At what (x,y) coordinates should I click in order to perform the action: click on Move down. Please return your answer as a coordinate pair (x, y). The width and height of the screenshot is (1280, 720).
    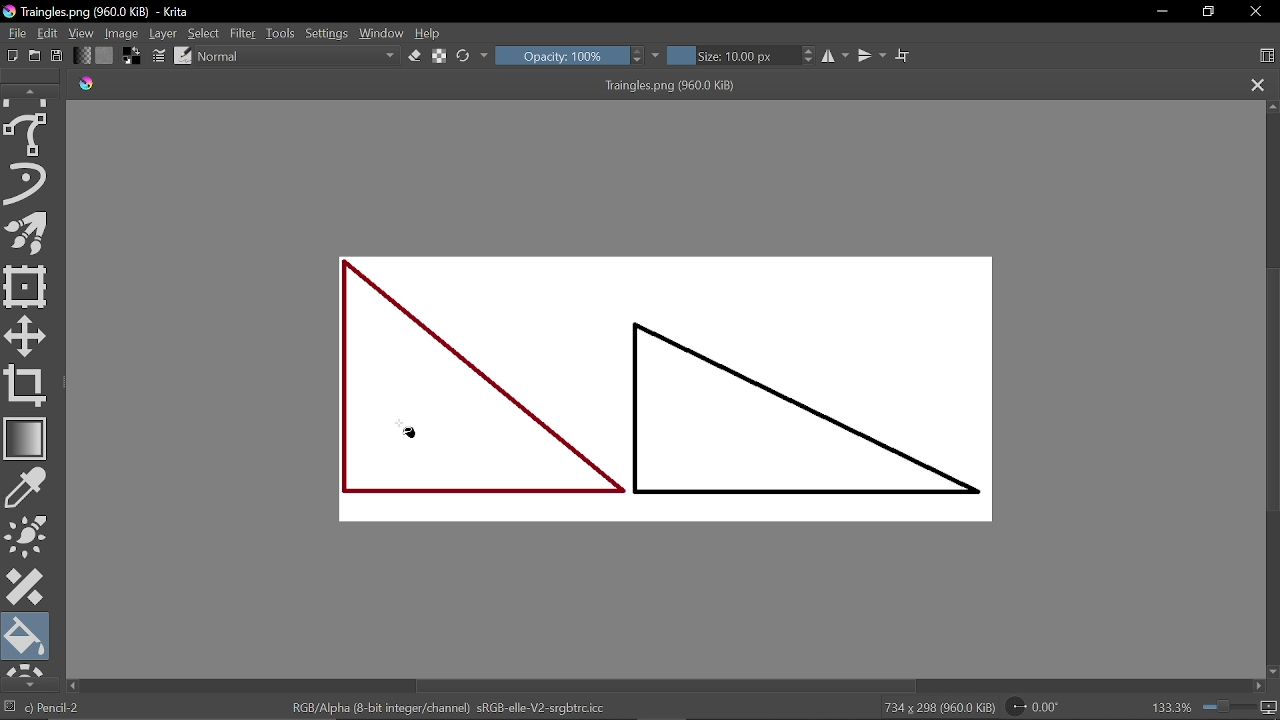
    Looking at the image, I should click on (1272, 672).